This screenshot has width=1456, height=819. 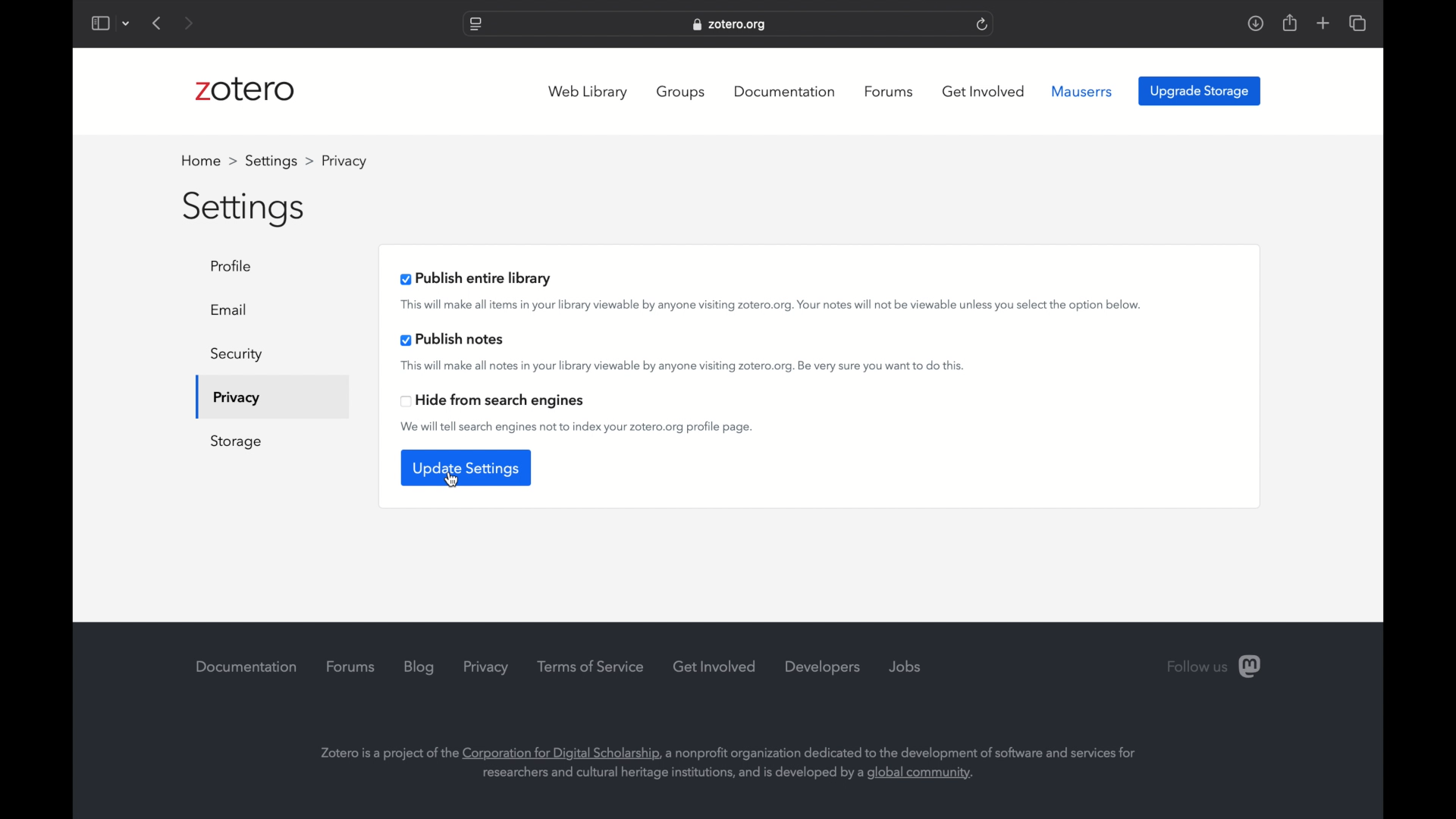 I want to click on zotero, so click(x=245, y=89).